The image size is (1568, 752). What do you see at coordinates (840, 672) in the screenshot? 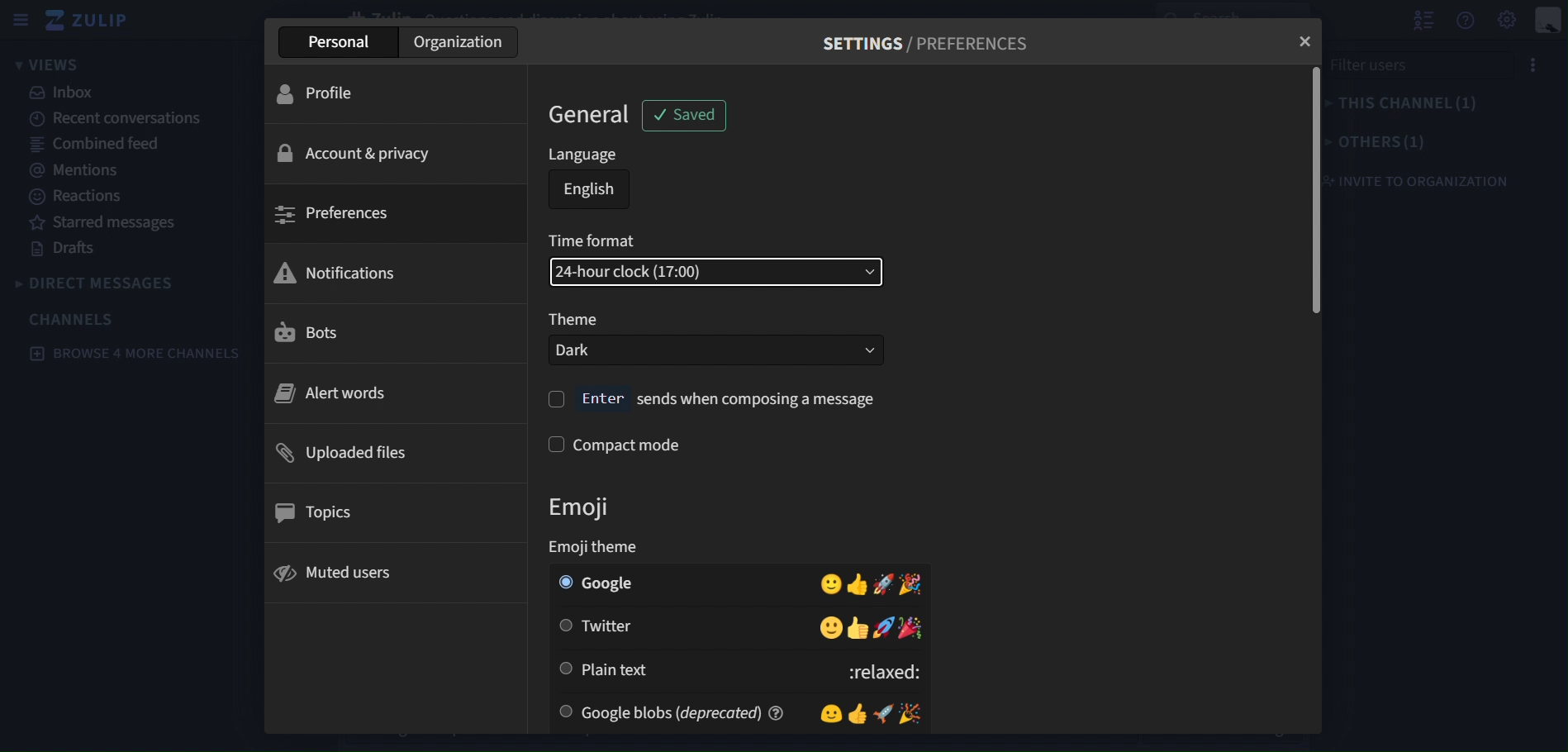
I see `:relaxed` at bounding box center [840, 672].